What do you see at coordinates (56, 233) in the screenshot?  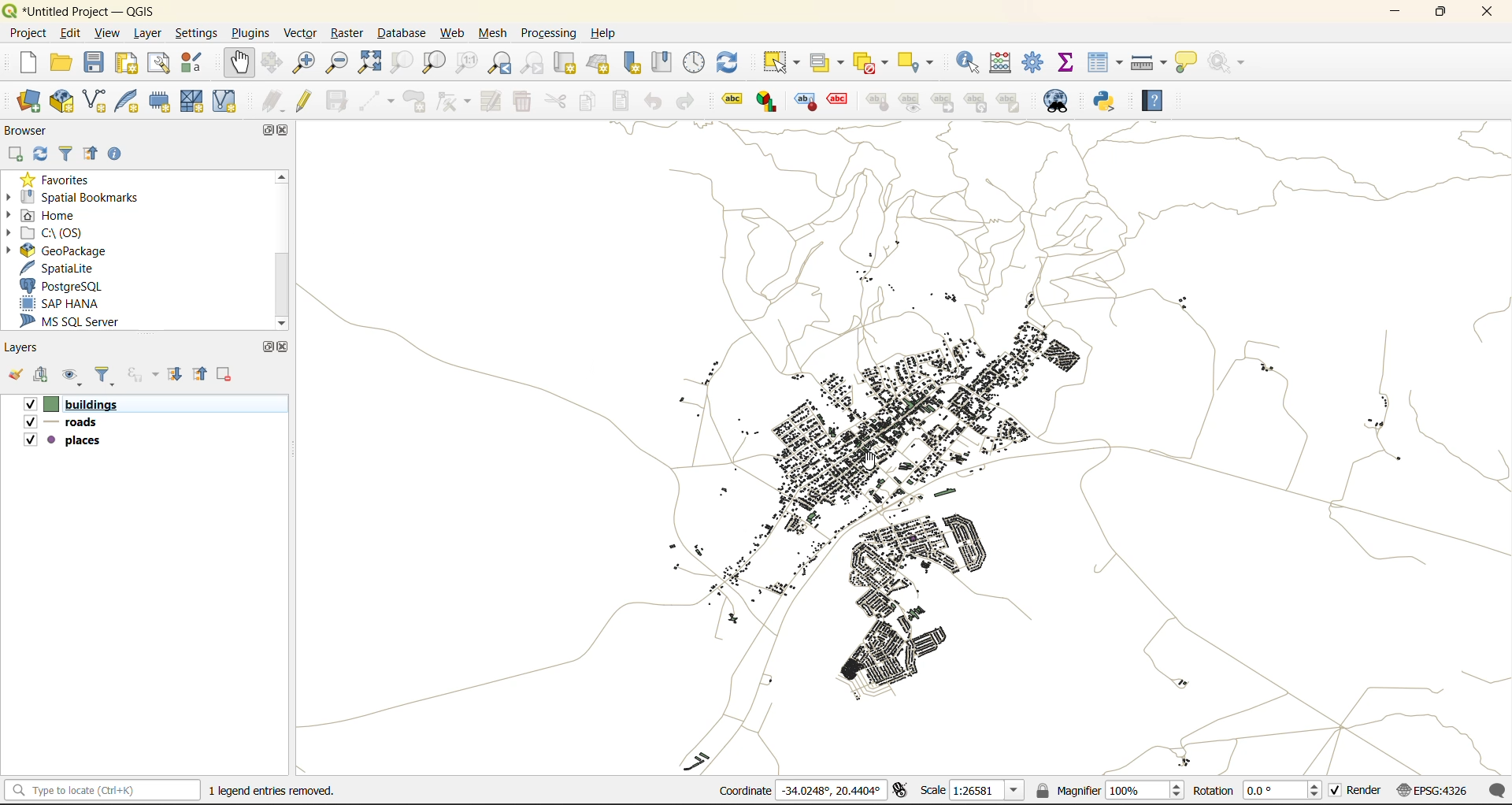 I see `c\:os` at bounding box center [56, 233].